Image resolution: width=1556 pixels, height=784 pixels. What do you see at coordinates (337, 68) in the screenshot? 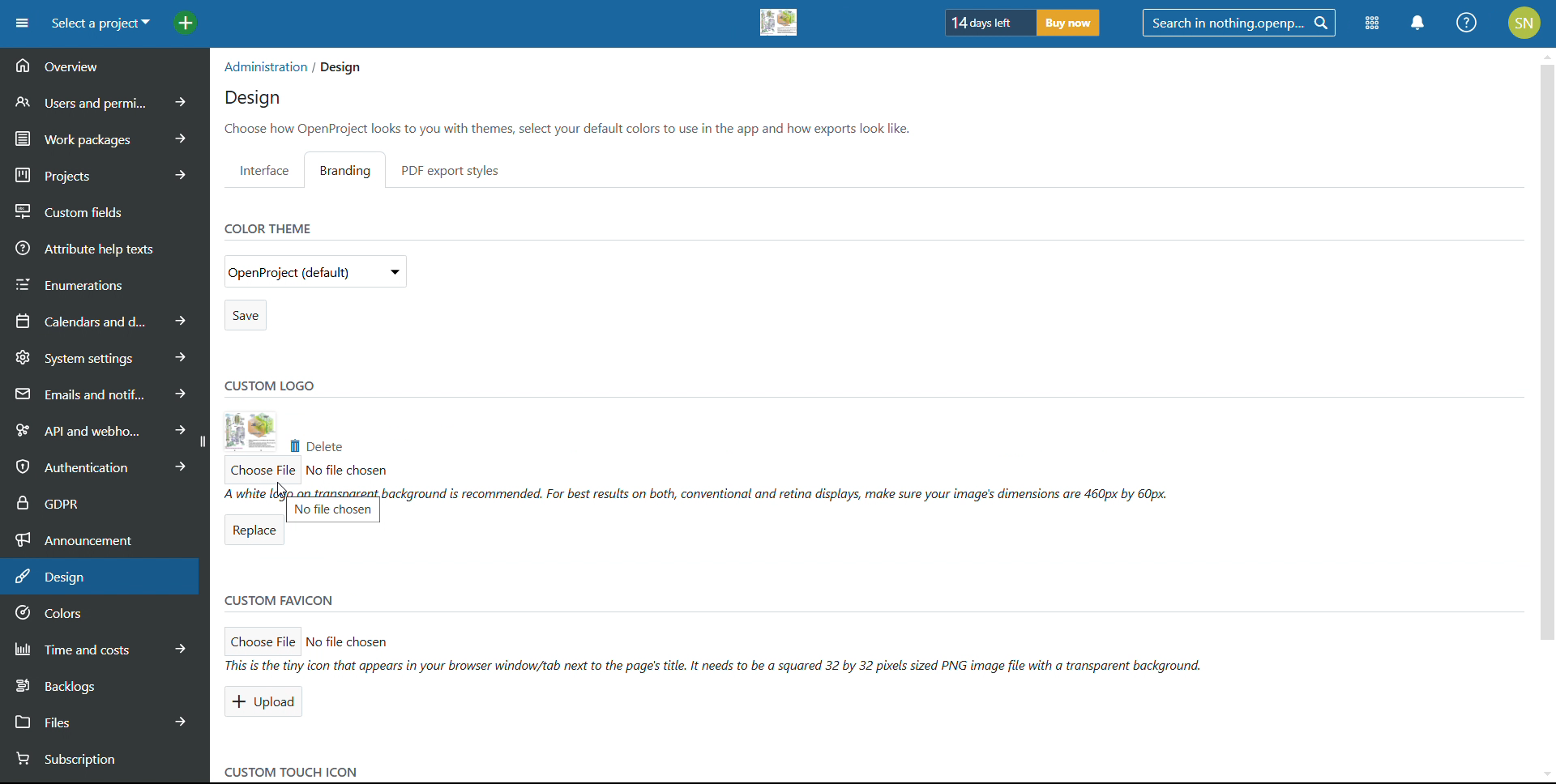
I see `/ Design` at bounding box center [337, 68].